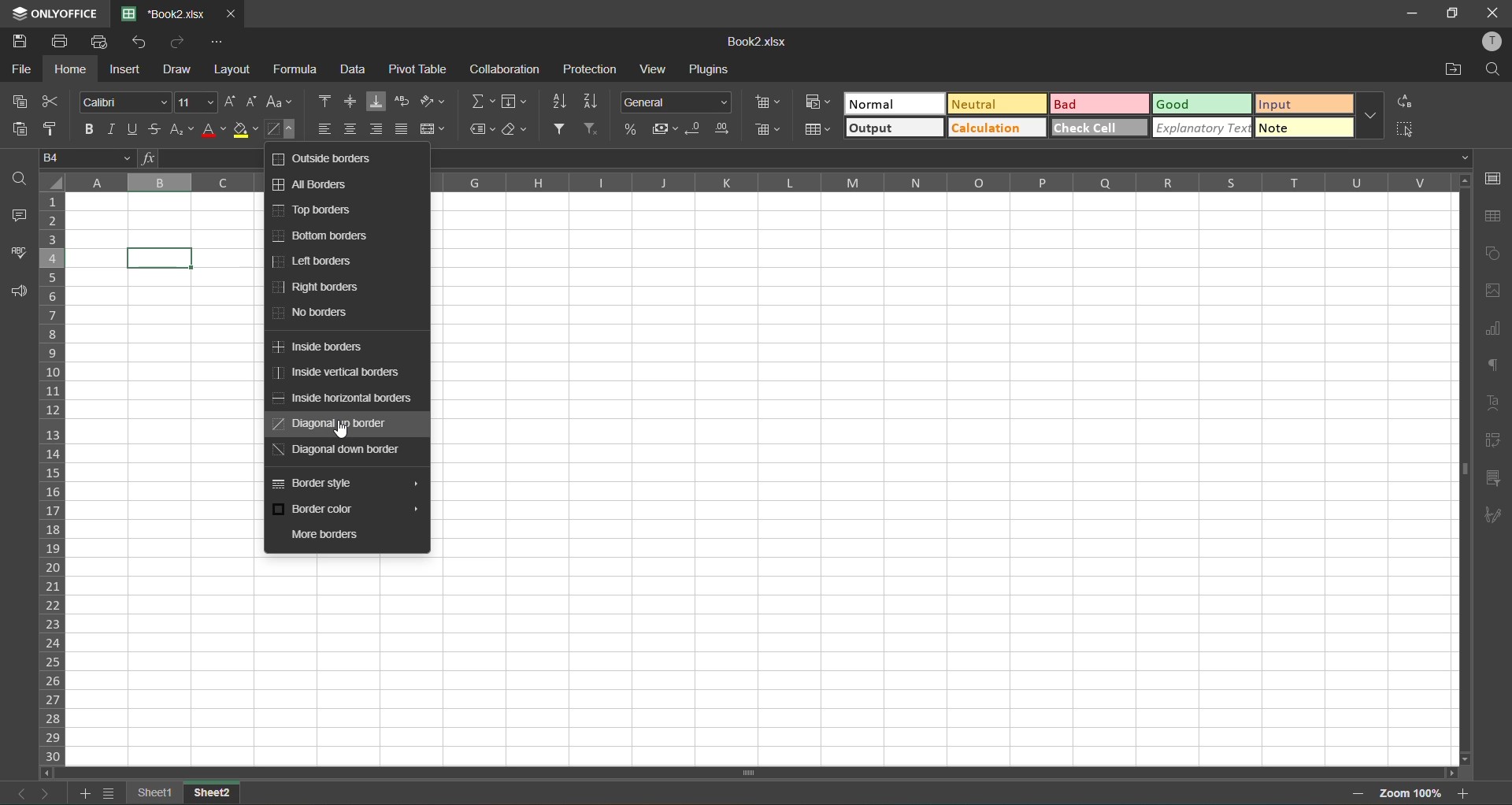 The height and width of the screenshot is (805, 1512). What do you see at coordinates (321, 348) in the screenshot?
I see `inside borders` at bounding box center [321, 348].